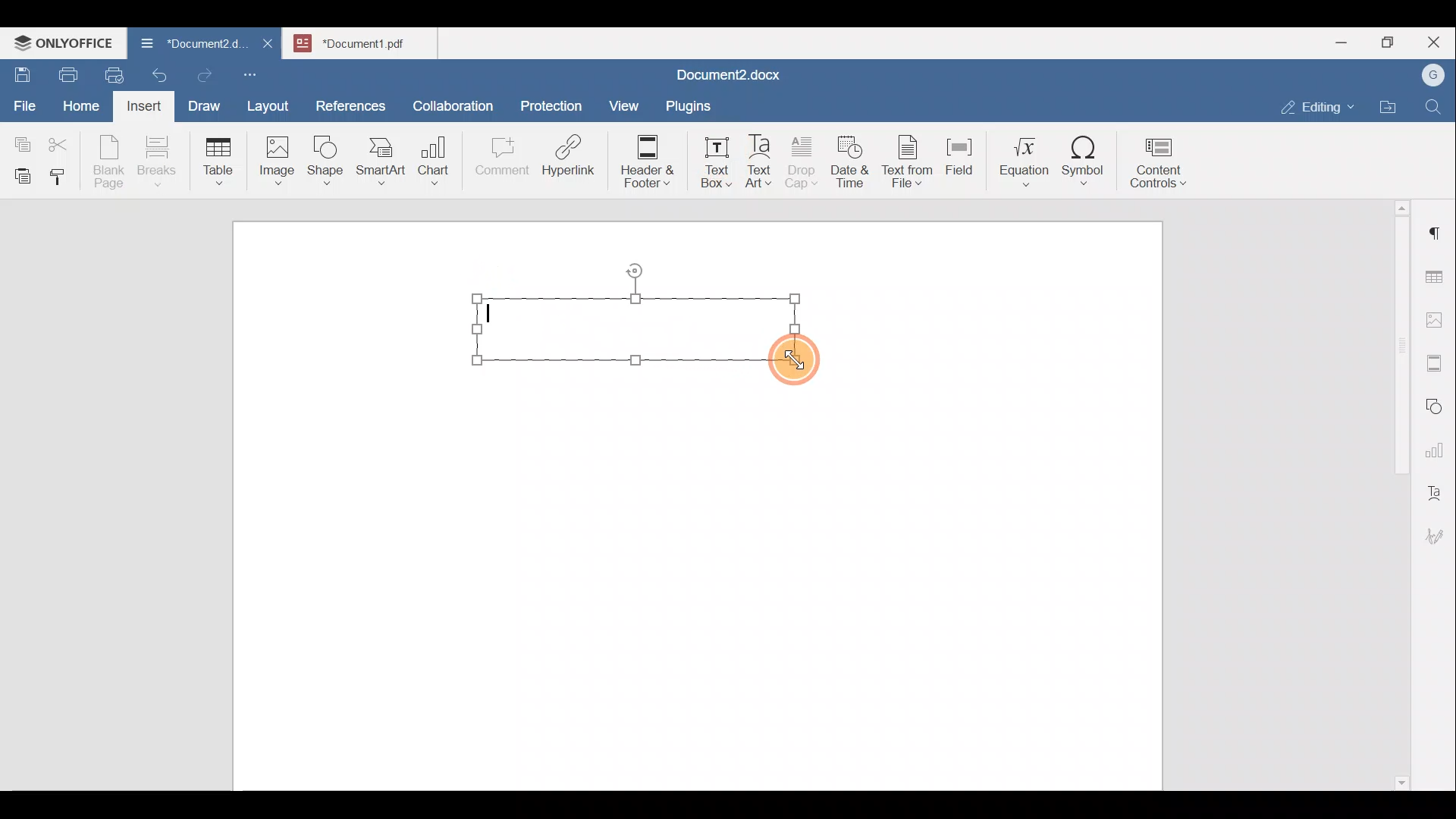 The image size is (1456, 819). What do you see at coordinates (805, 160) in the screenshot?
I see `Drop cap` at bounding box center [805, 160].